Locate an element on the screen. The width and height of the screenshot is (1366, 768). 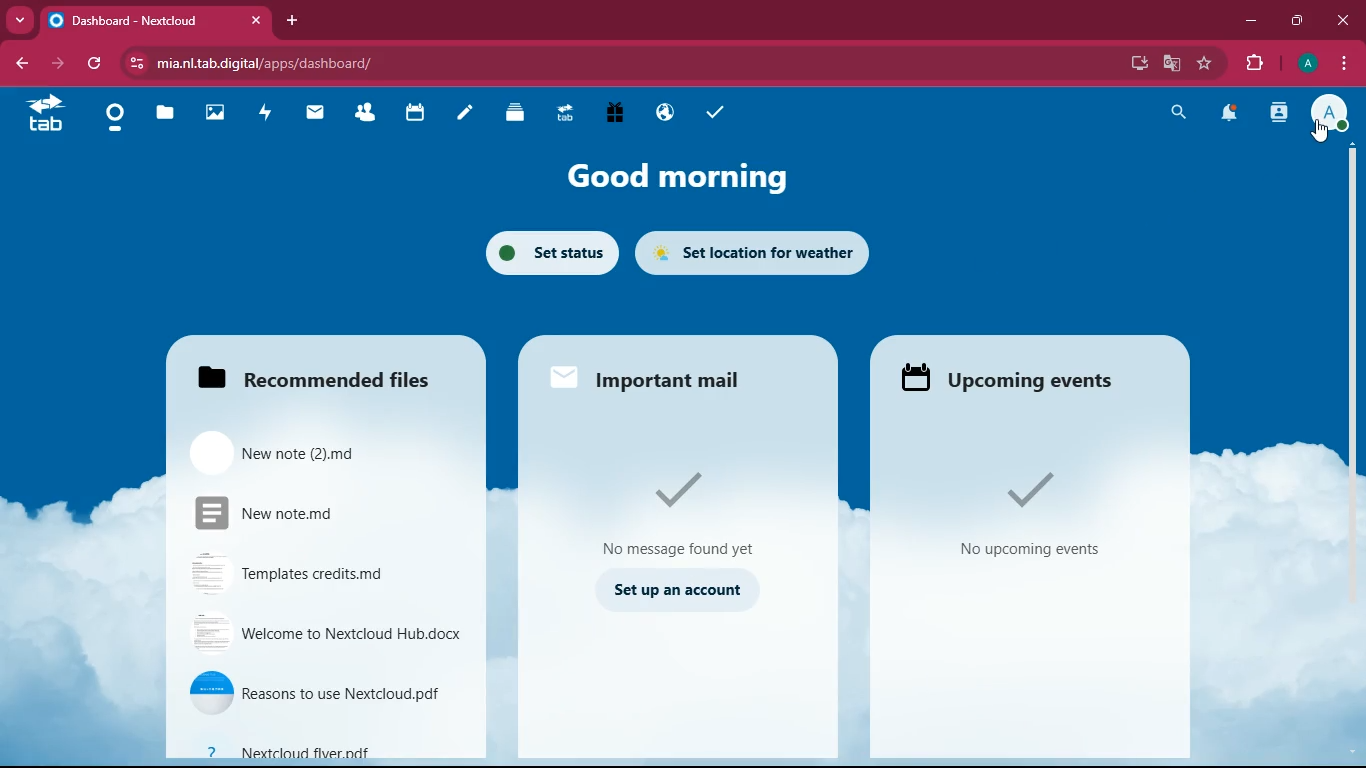
search is located at coordinates (1176, 115).